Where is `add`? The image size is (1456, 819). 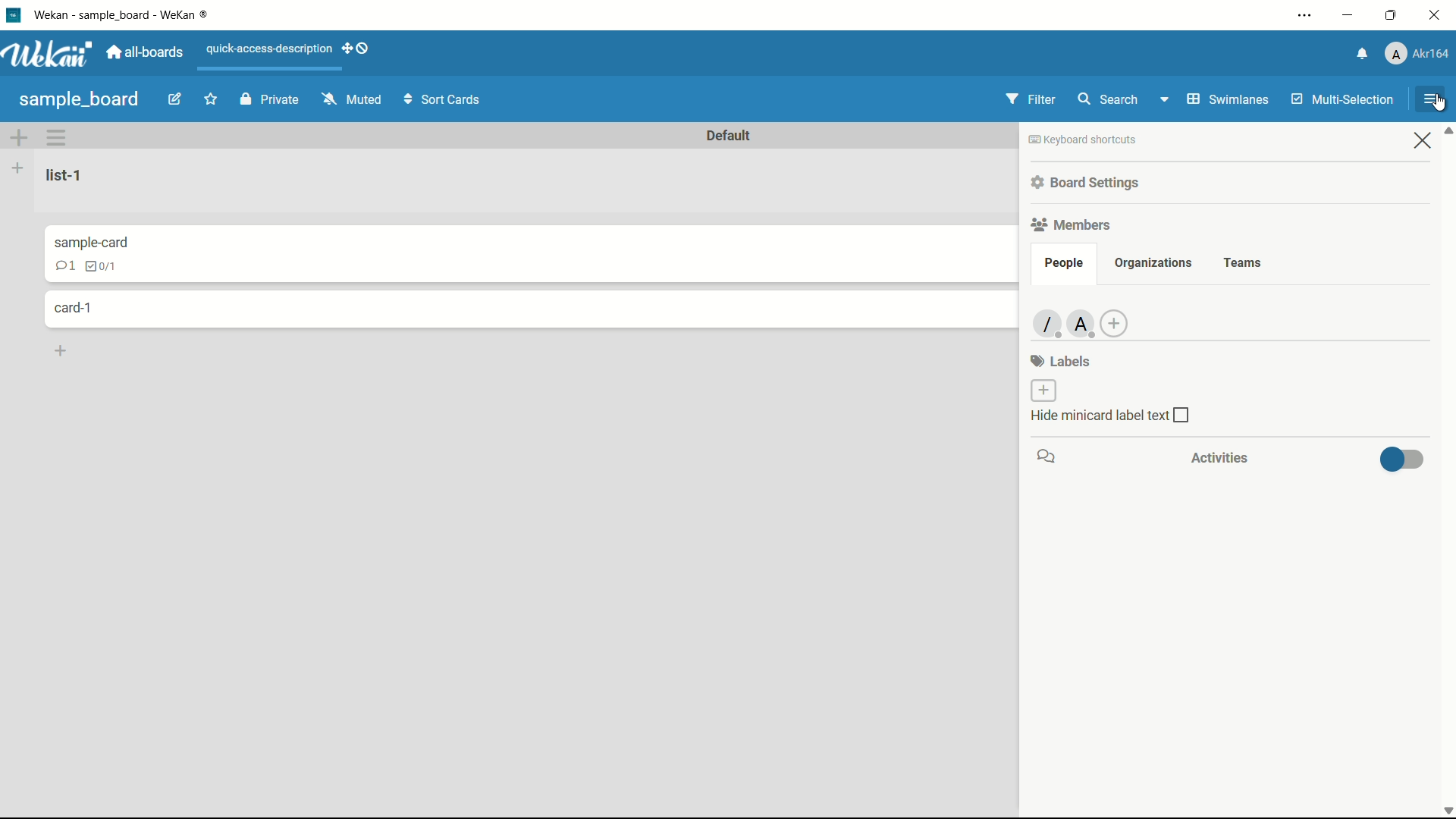
add is located at coordinates (16, 171).